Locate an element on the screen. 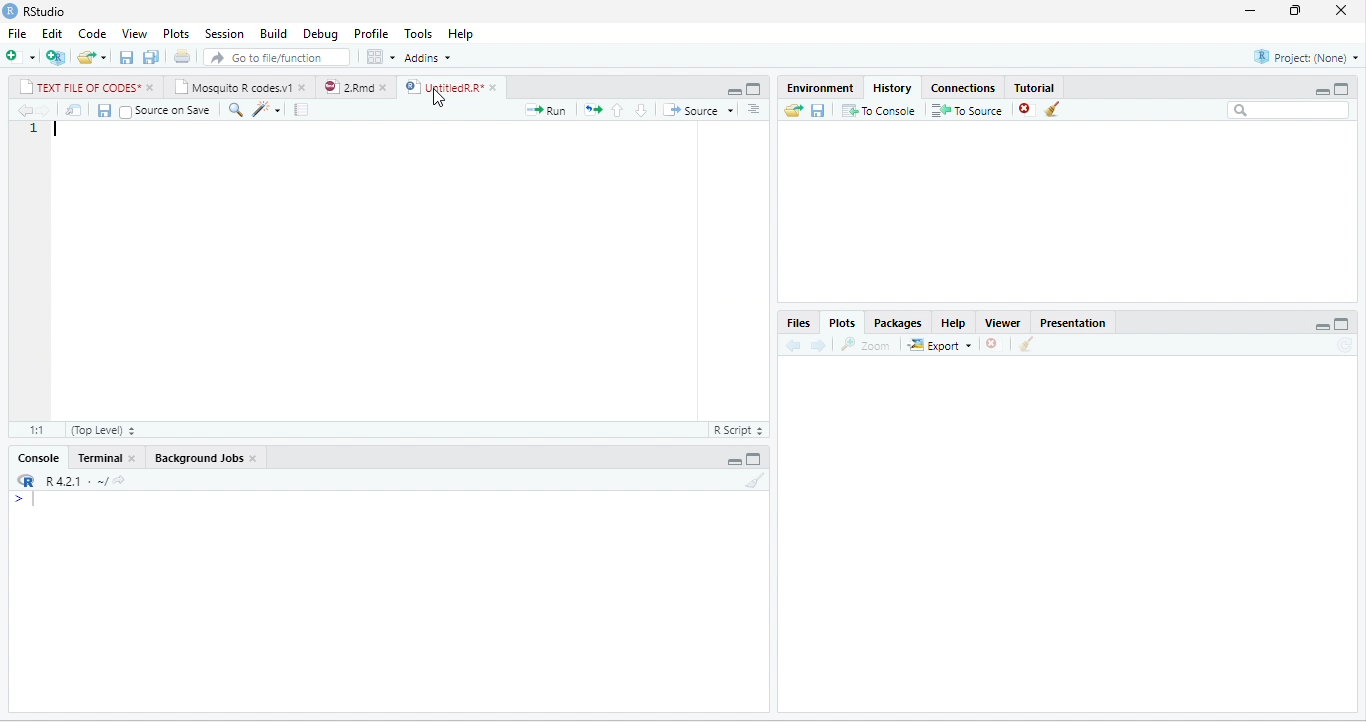 The width and height of the screenshot is (1366, 722). down is located at coordinates (642, 110).